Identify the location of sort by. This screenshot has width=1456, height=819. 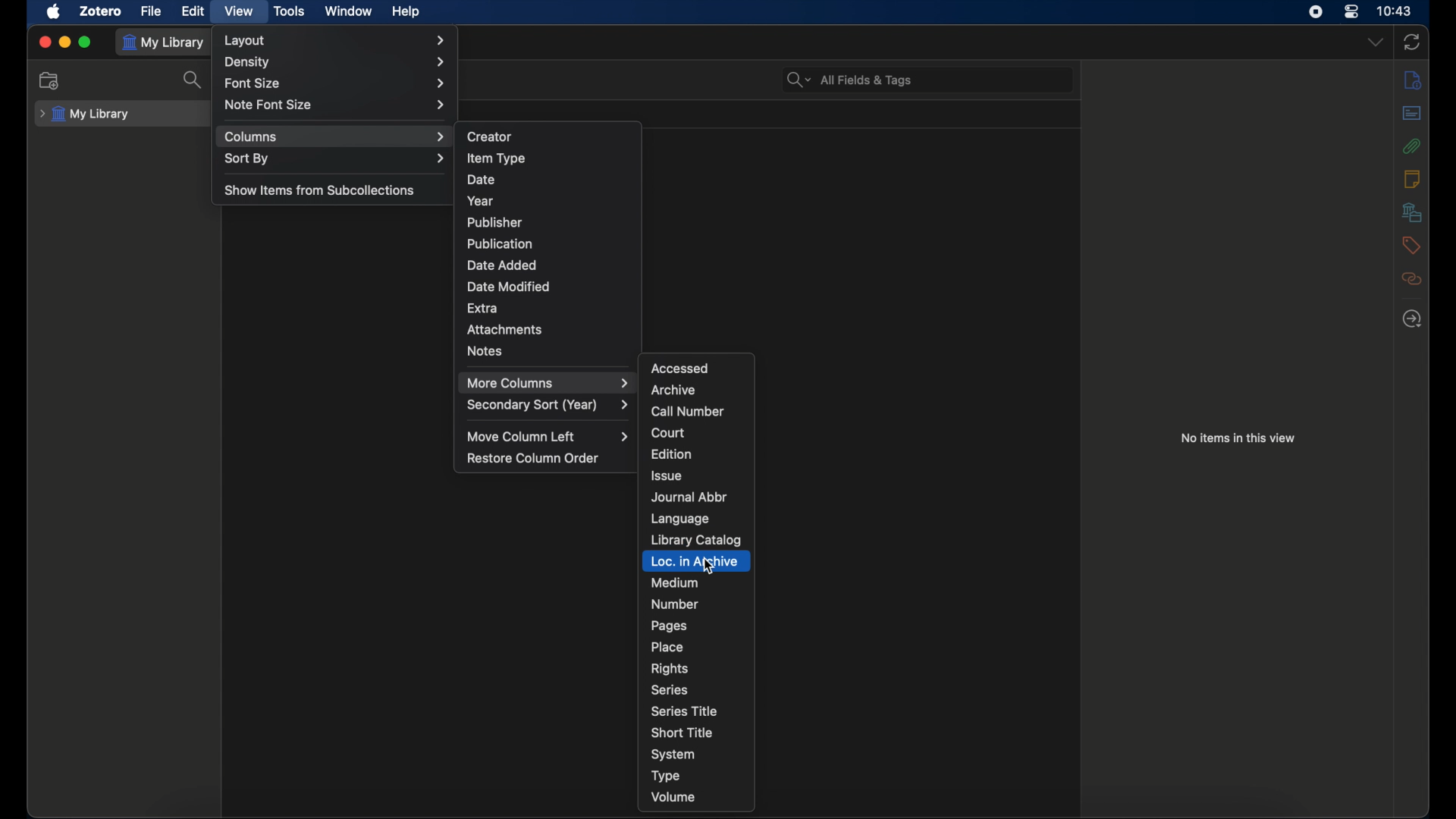
(335, 159).